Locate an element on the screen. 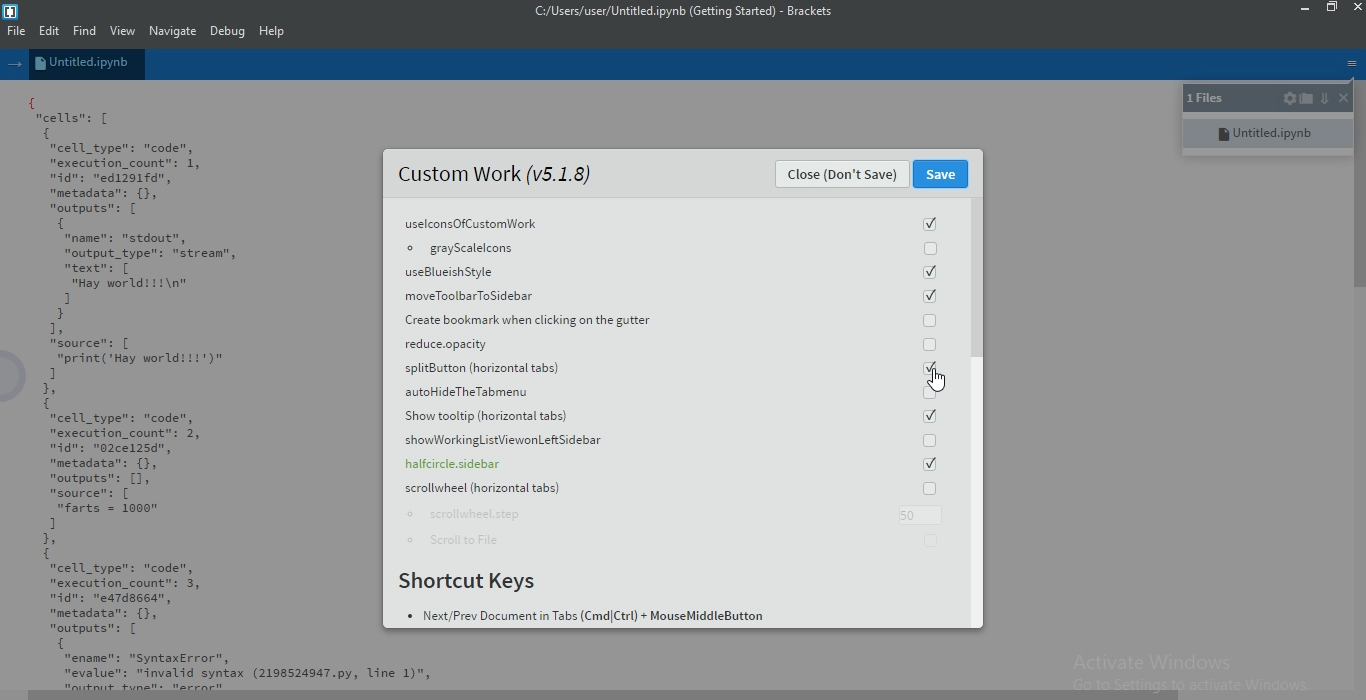 This screenshot has height=700, width=1366. minimise is located at coordinates (1302, 9).